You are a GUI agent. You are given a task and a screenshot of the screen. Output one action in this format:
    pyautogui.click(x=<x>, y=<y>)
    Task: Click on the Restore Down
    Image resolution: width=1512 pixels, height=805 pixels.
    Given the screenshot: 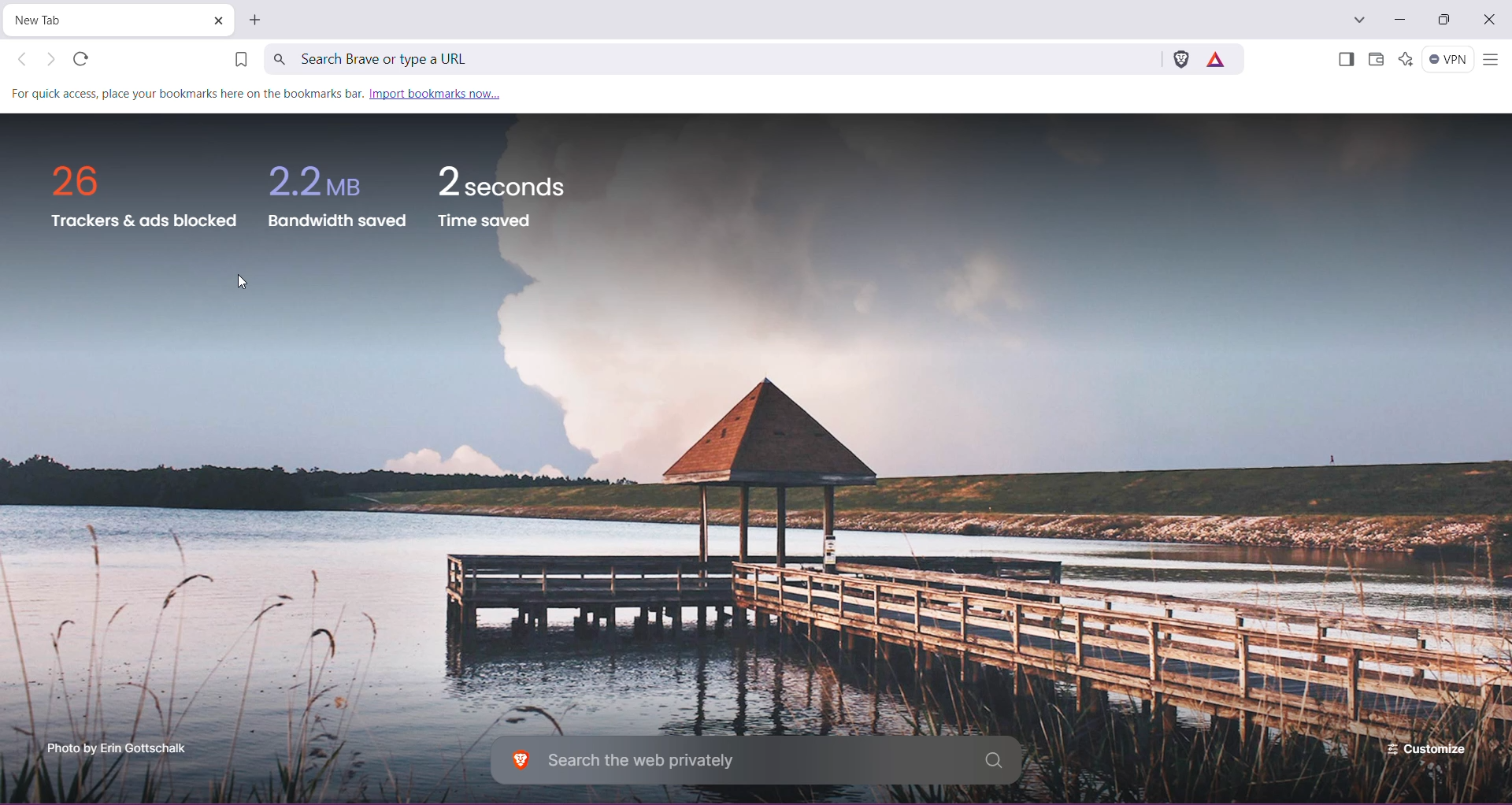 What is the action you would take?
    pyautogui.click(x=1443, y=20)
    